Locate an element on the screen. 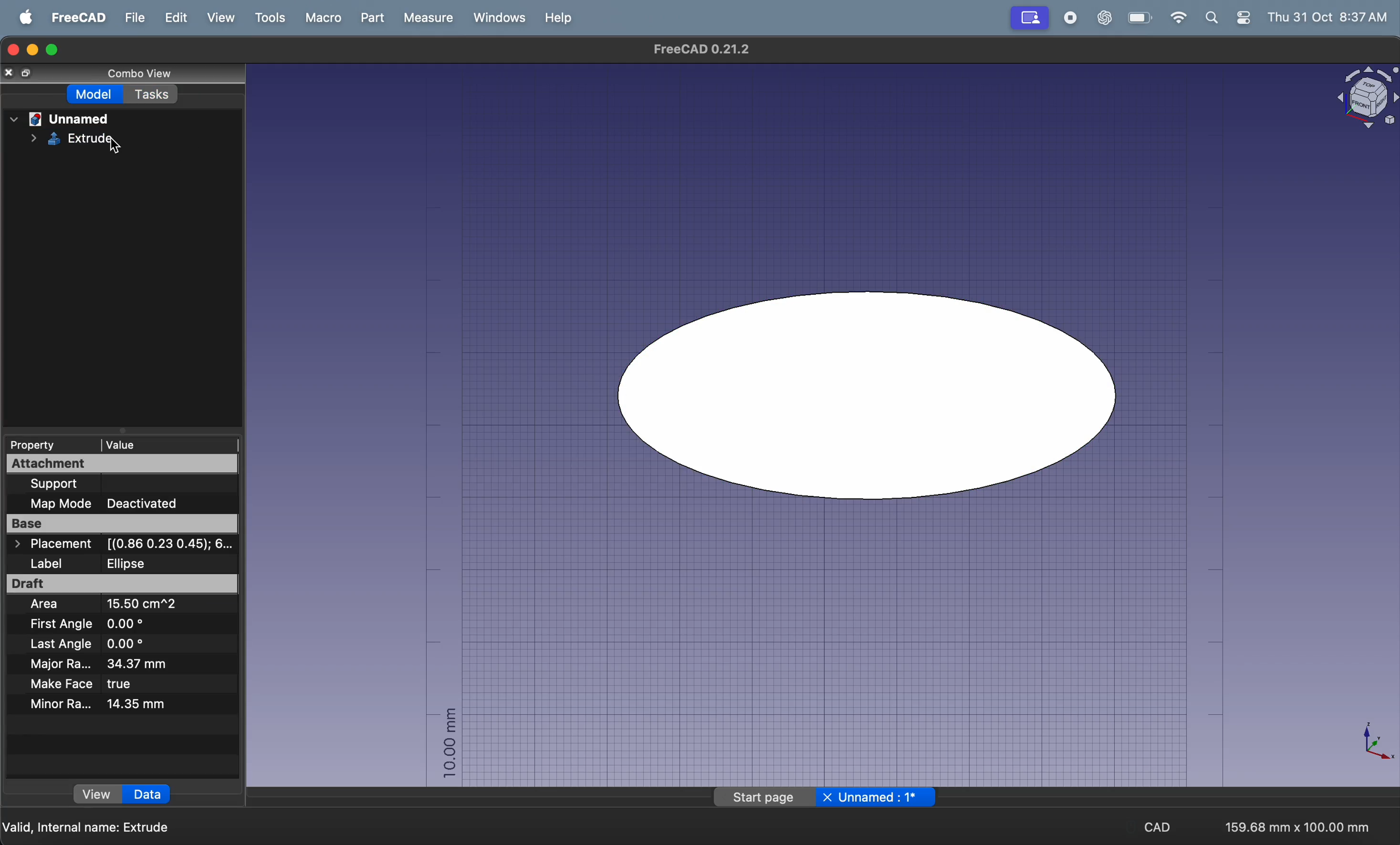 The width and height of the screenshot is (1400, 845). page title is located at coordinates (823, 798).